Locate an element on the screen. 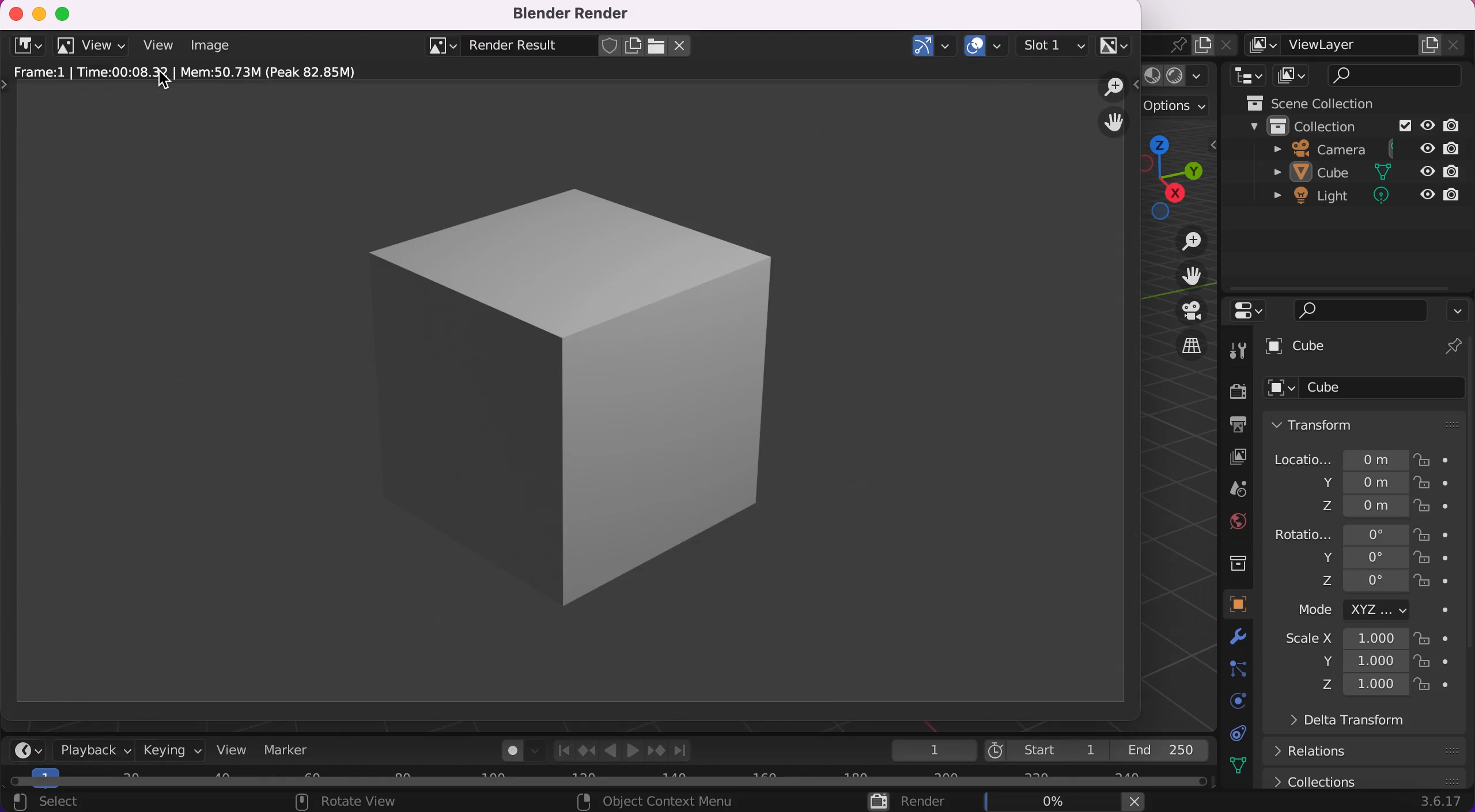  hide in viewport is located at coordinates (1428, 147).